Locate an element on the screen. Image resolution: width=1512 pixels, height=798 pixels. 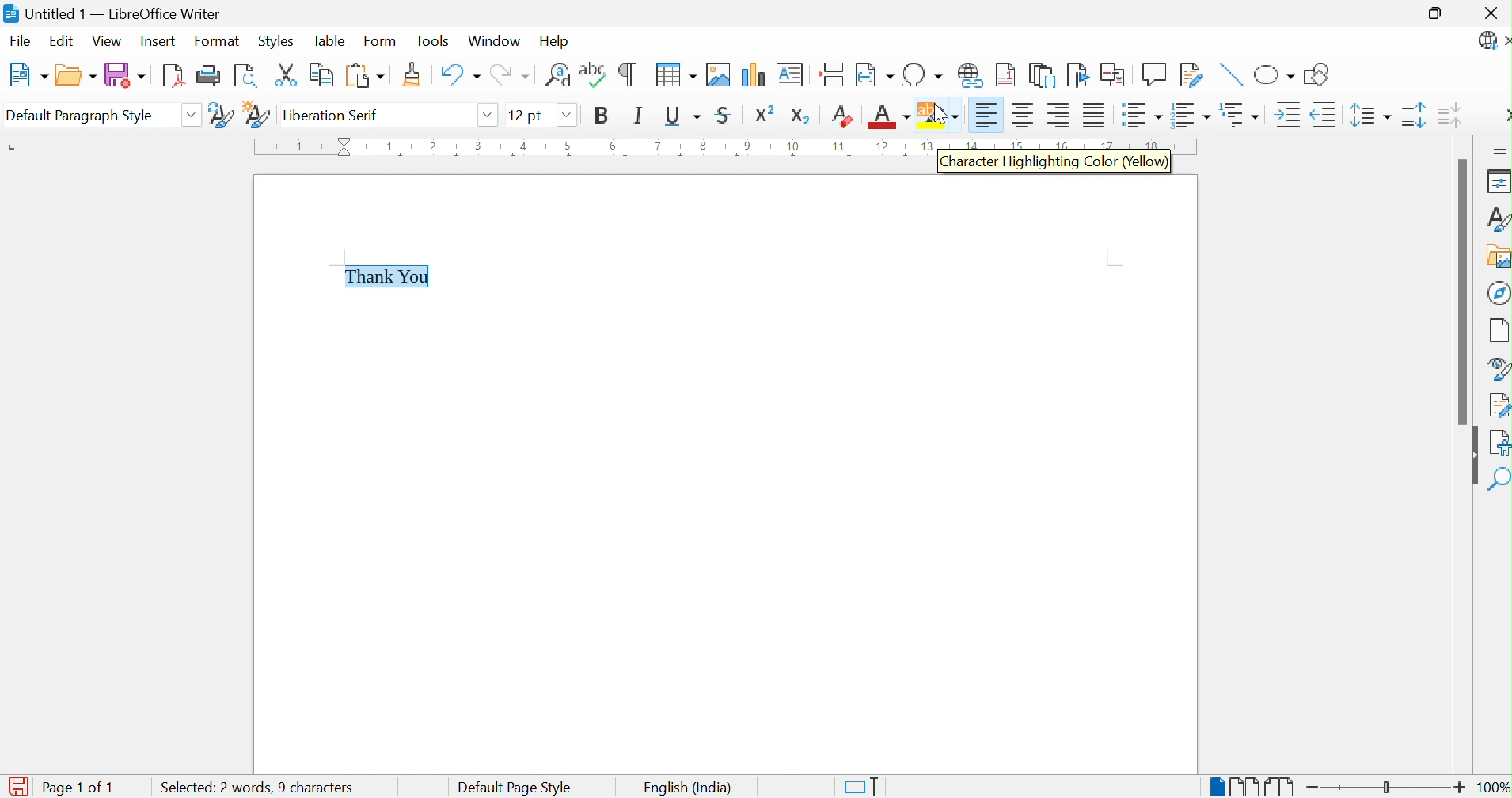
Help is located at coordinates (553, 42).